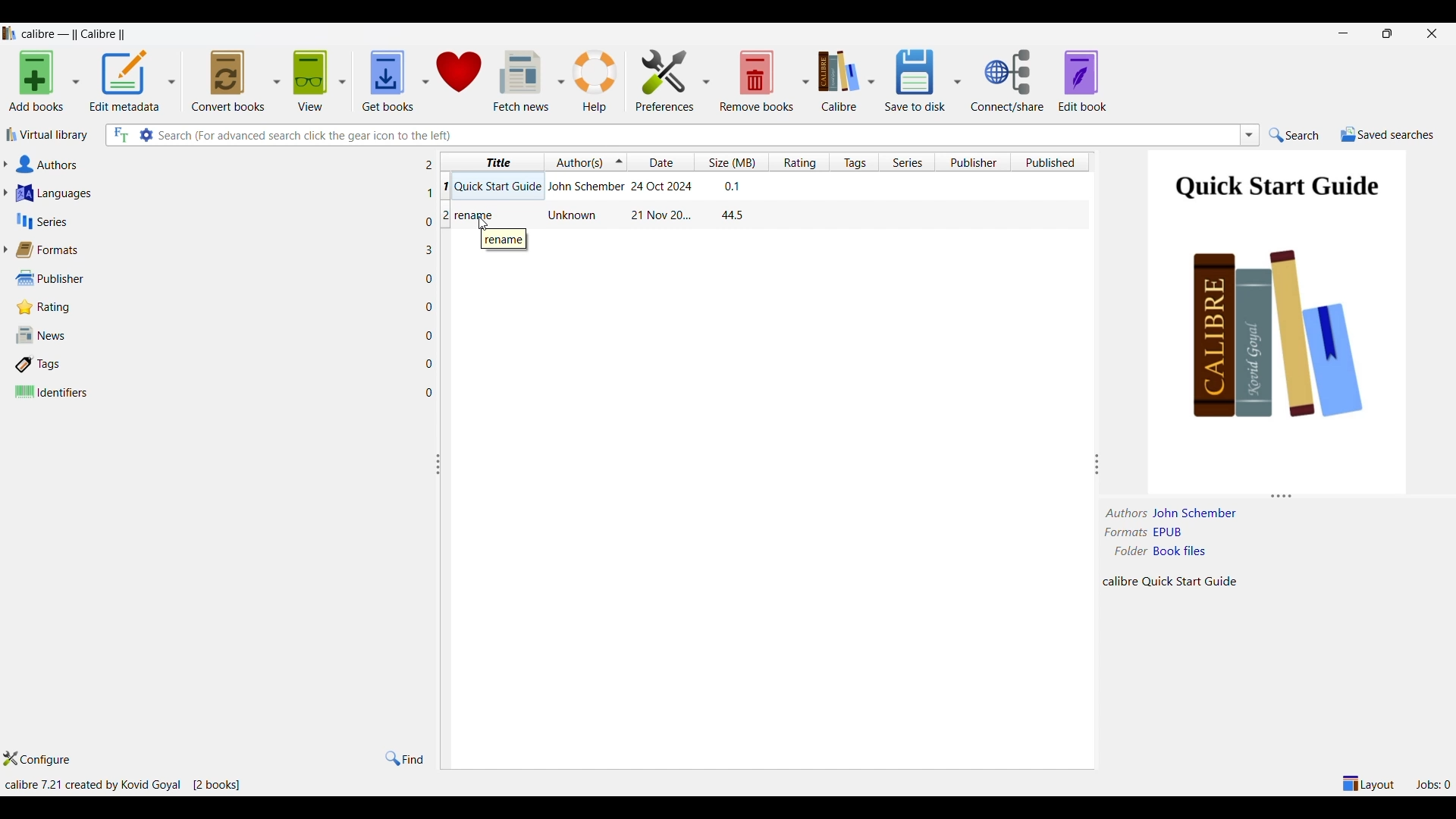  I want to click on View options, so click(342, 80).